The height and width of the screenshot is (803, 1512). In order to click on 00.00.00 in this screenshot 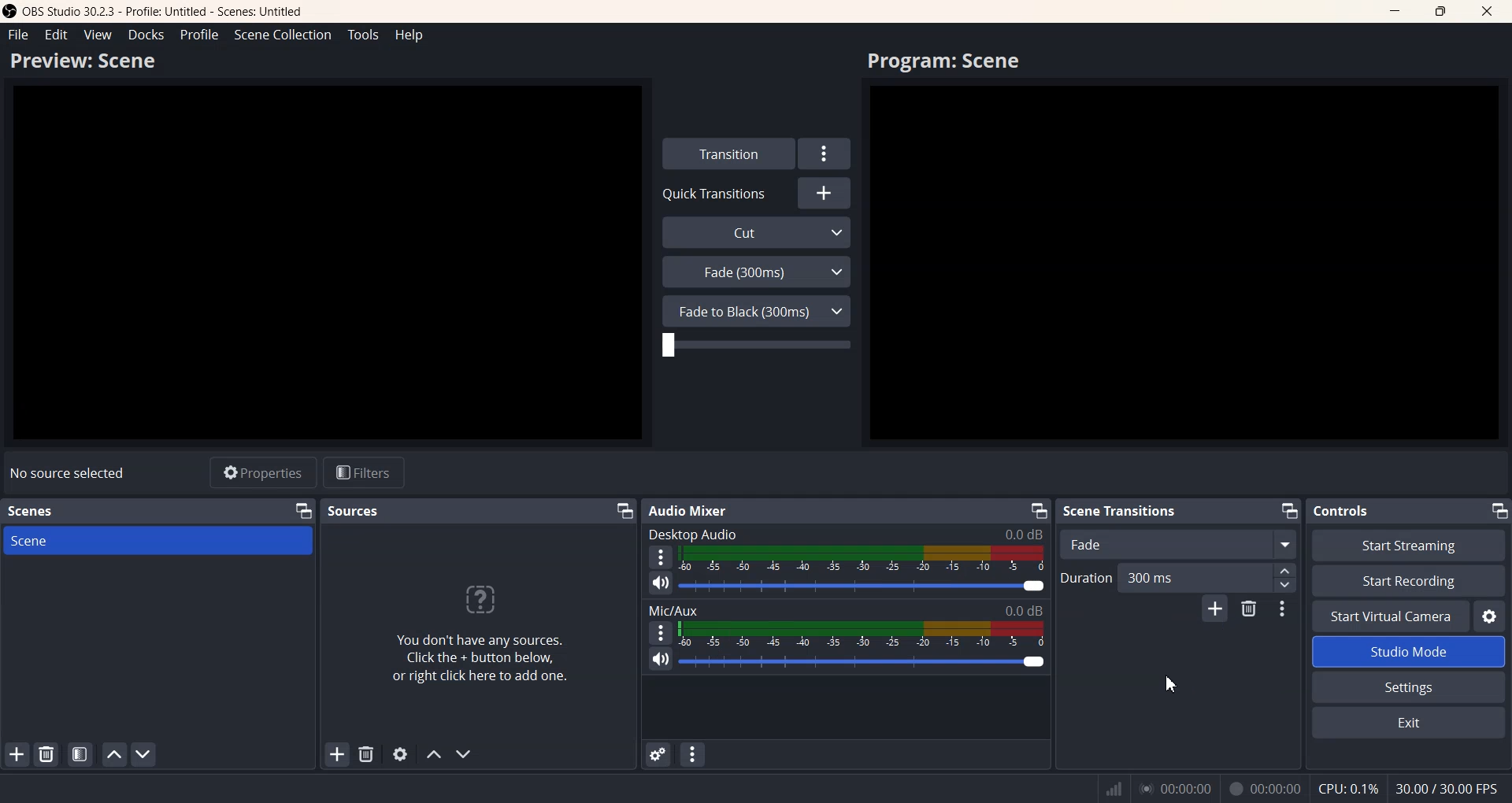, I will do `click(1267, 790)`.